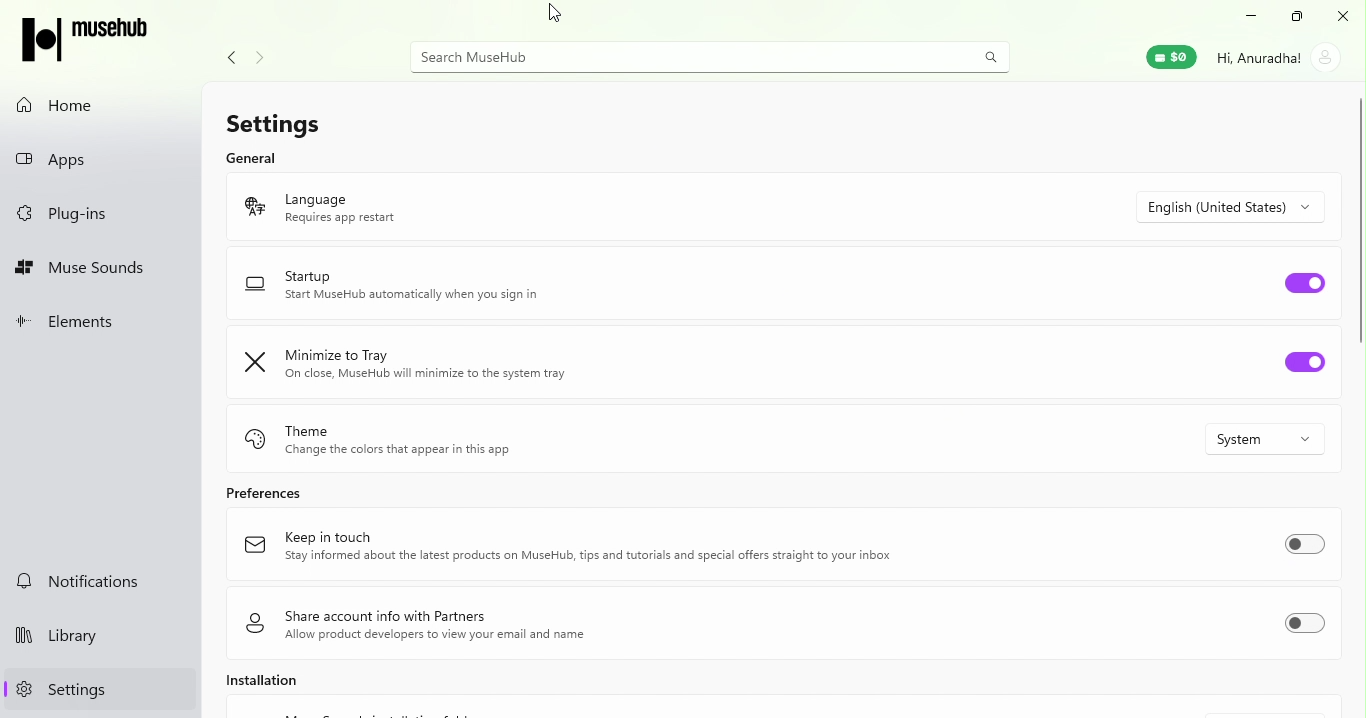 This screenshot has height=718, width=1366. I want to click on Library, so click(98, 639).